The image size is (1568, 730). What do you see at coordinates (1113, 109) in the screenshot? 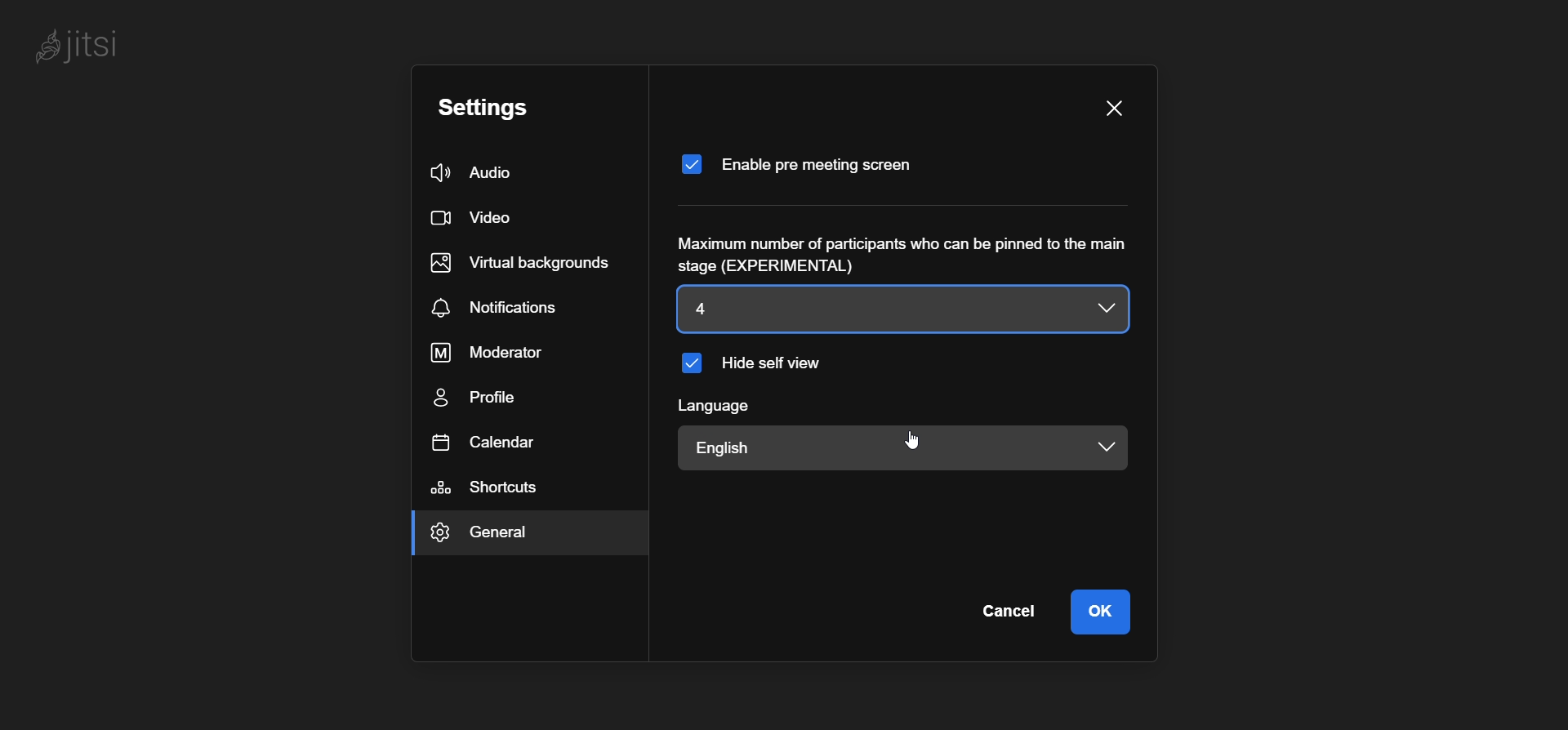
I see `close pane` at bounding box center [1113, 109].